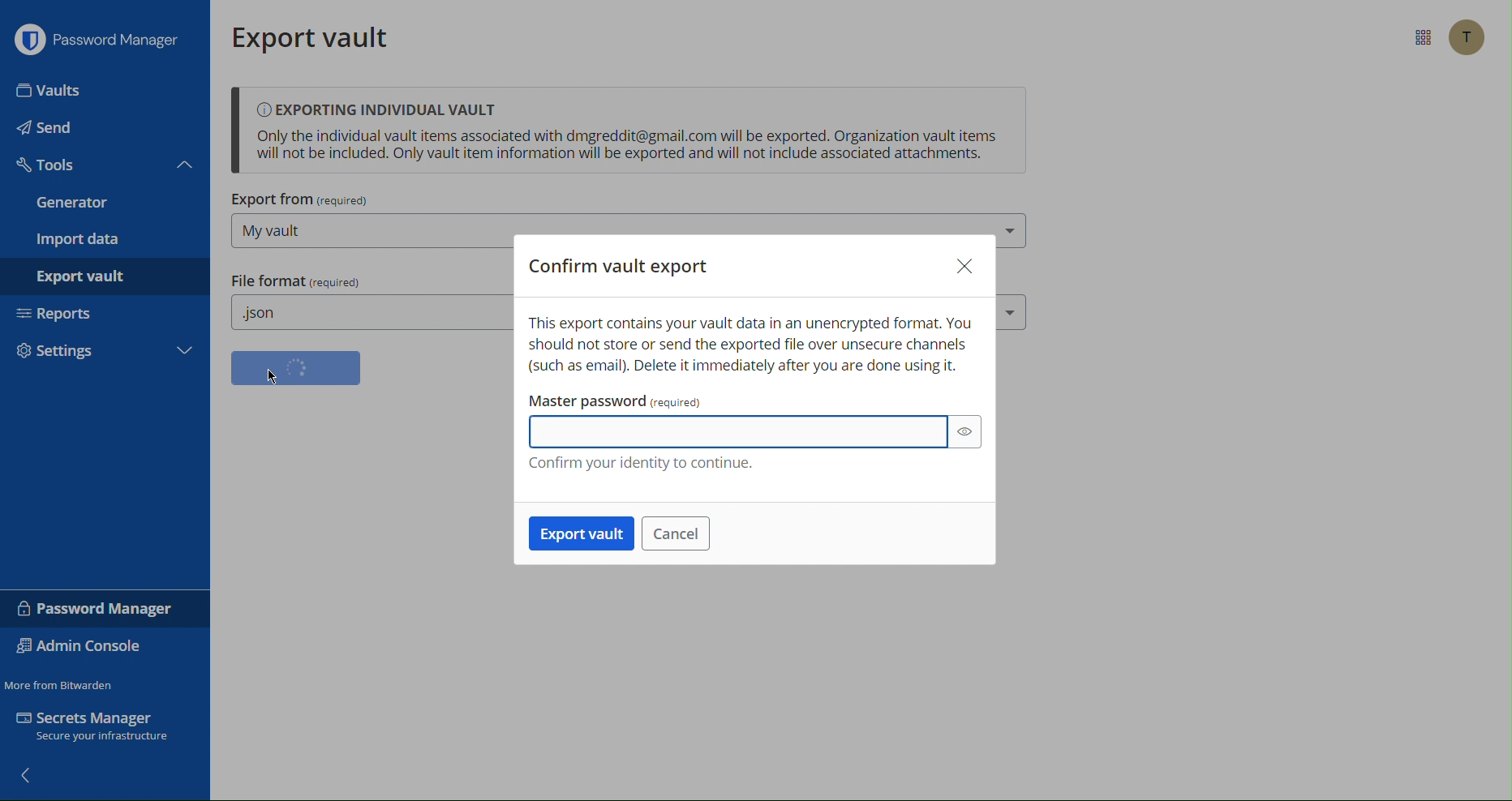 The image size is (1512, 801). I want to click on Account, so click(1465, 38).